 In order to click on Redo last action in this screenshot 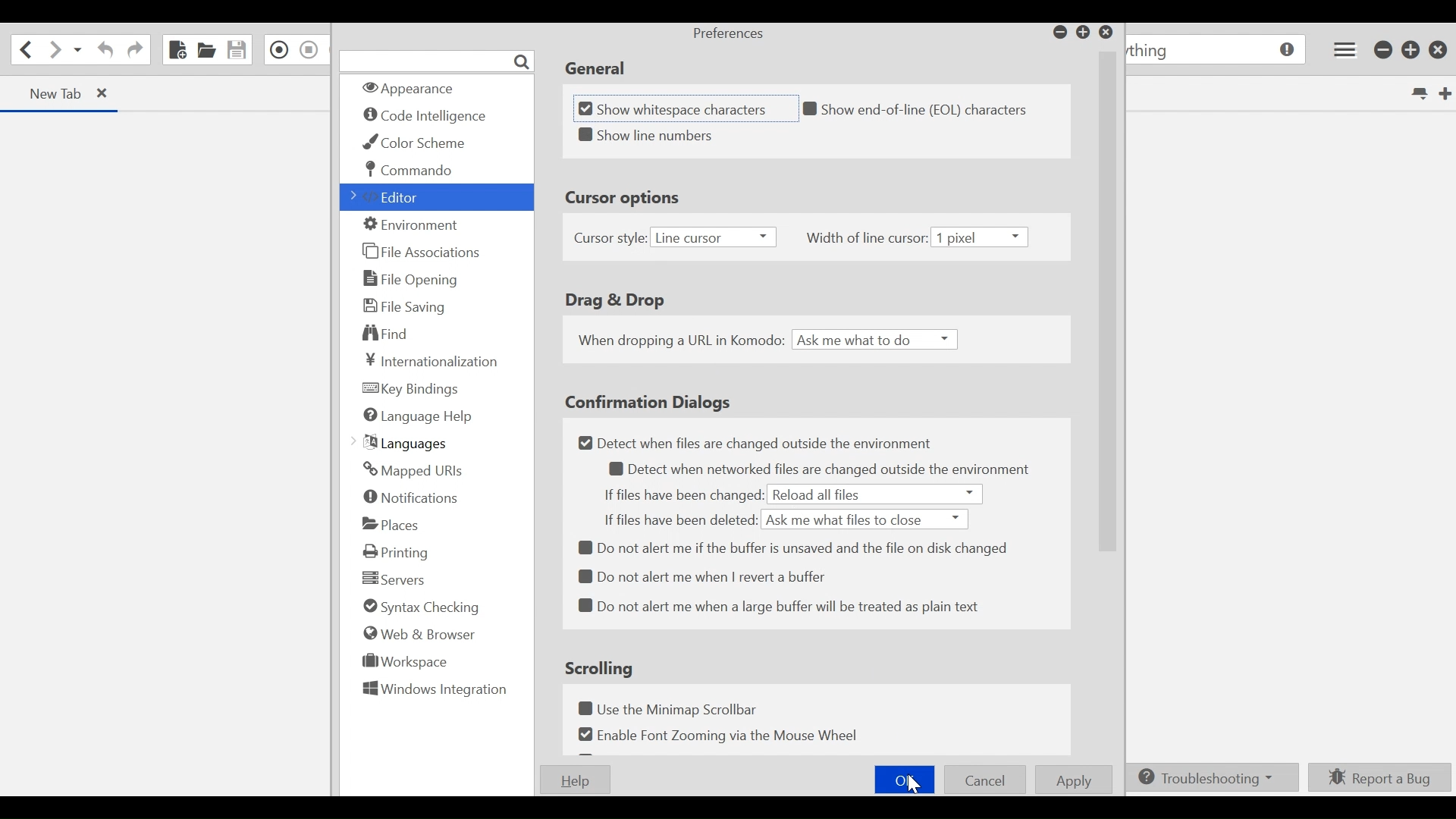, I will do `click(134, 50)`.